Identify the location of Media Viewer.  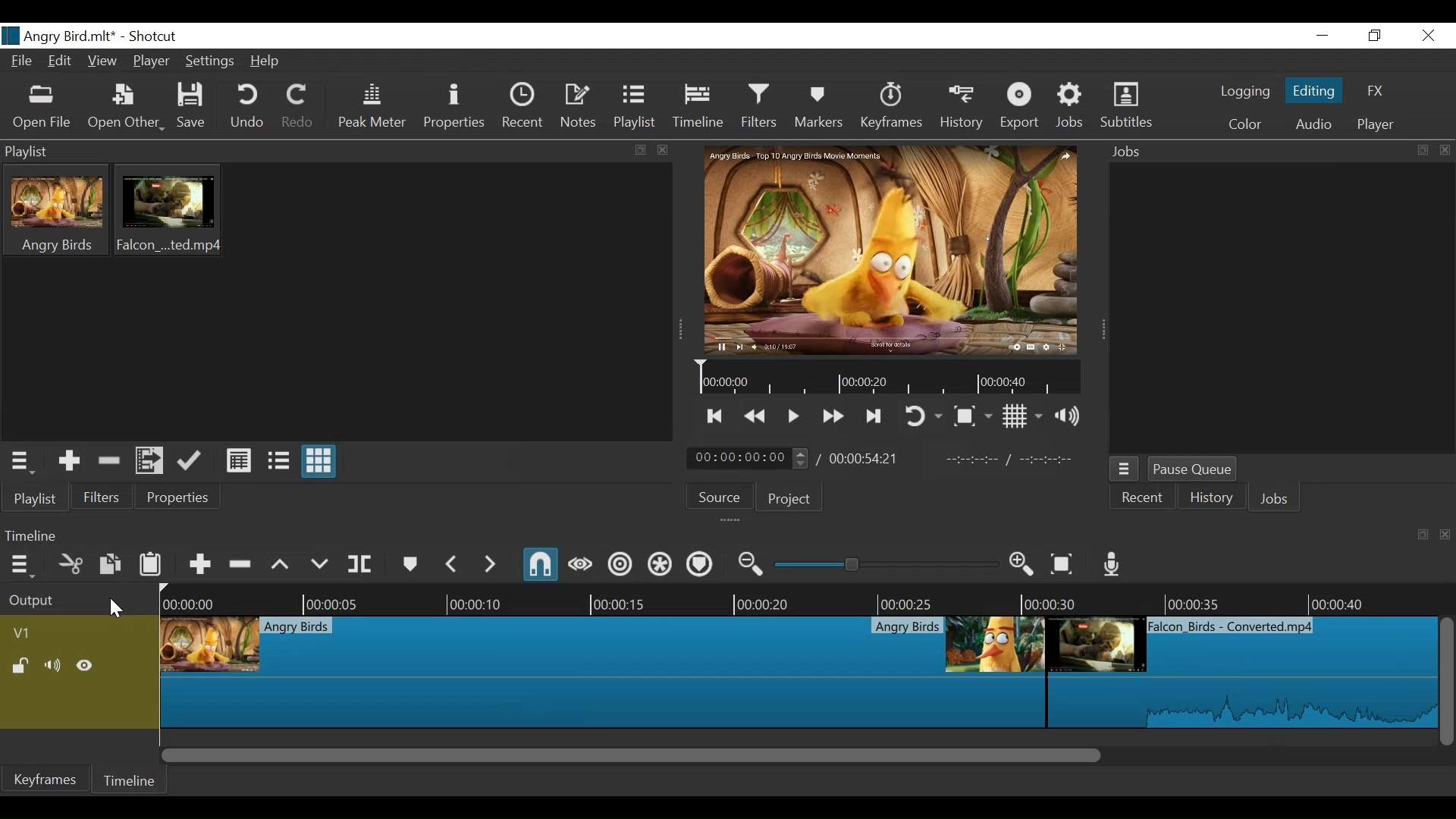
(886, 249).